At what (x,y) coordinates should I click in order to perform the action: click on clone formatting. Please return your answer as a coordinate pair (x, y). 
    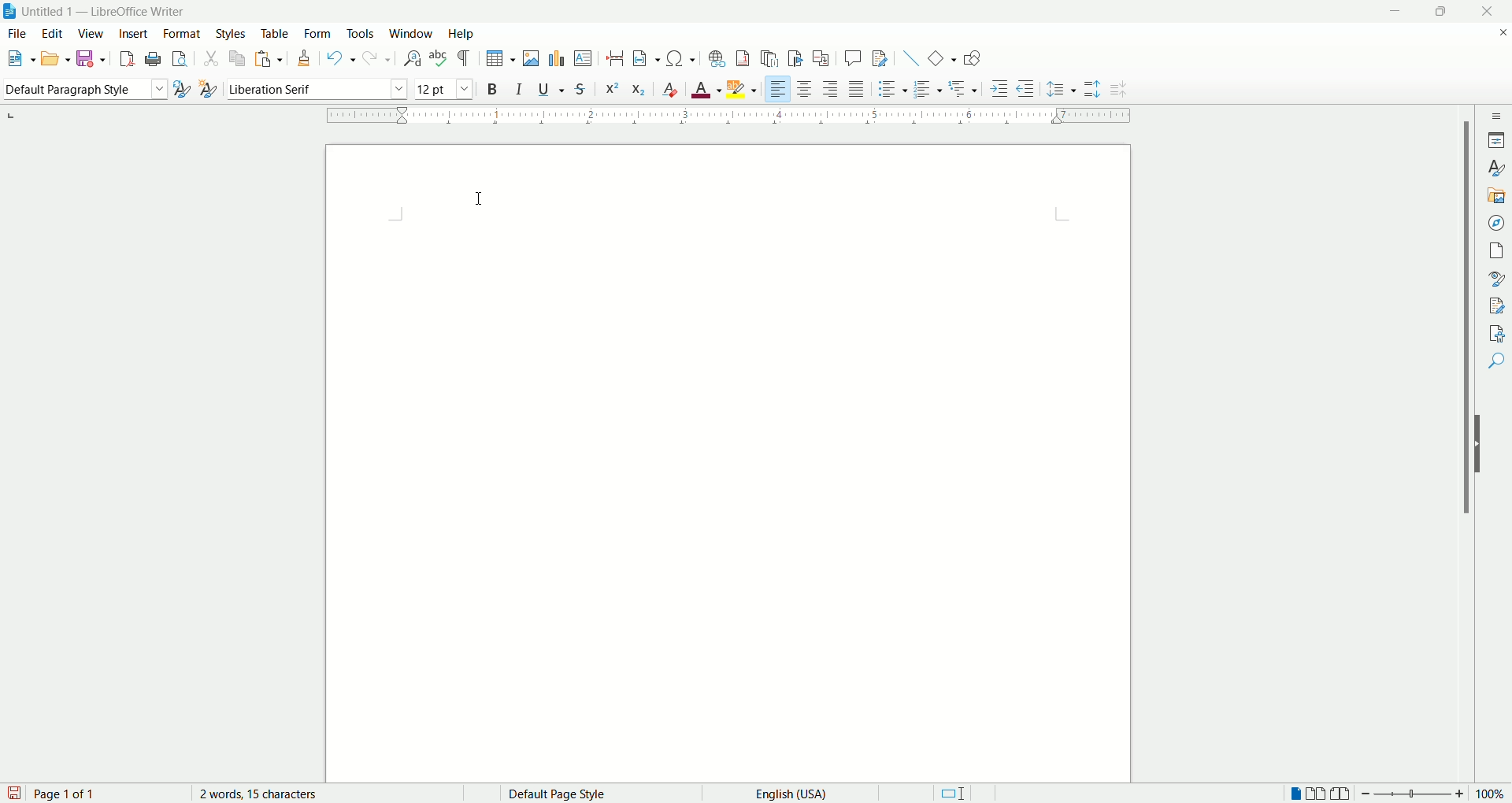
    Looking at the image, I should click on (304, 59).